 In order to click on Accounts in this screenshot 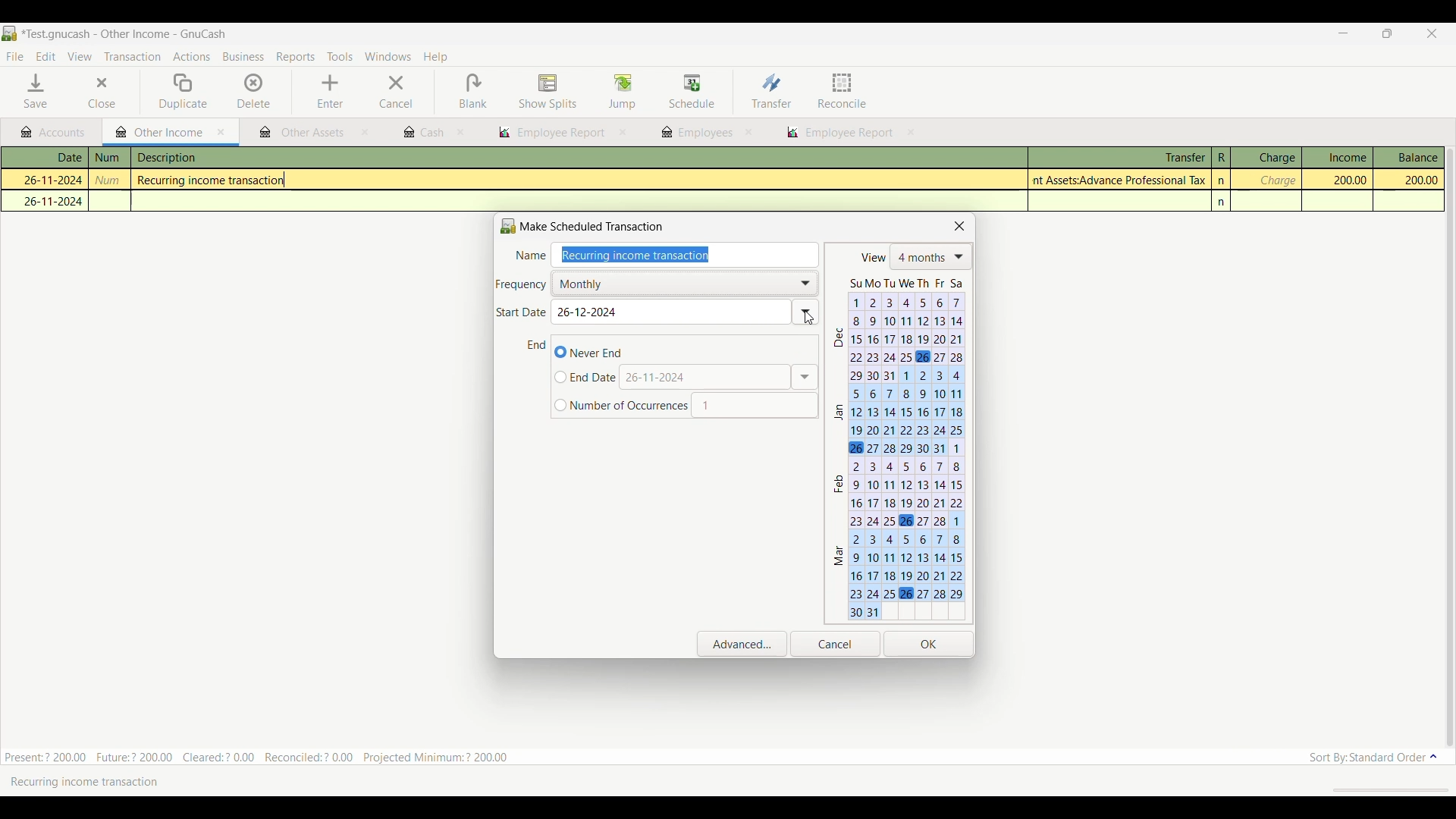, I will do `click(56, 133)`.